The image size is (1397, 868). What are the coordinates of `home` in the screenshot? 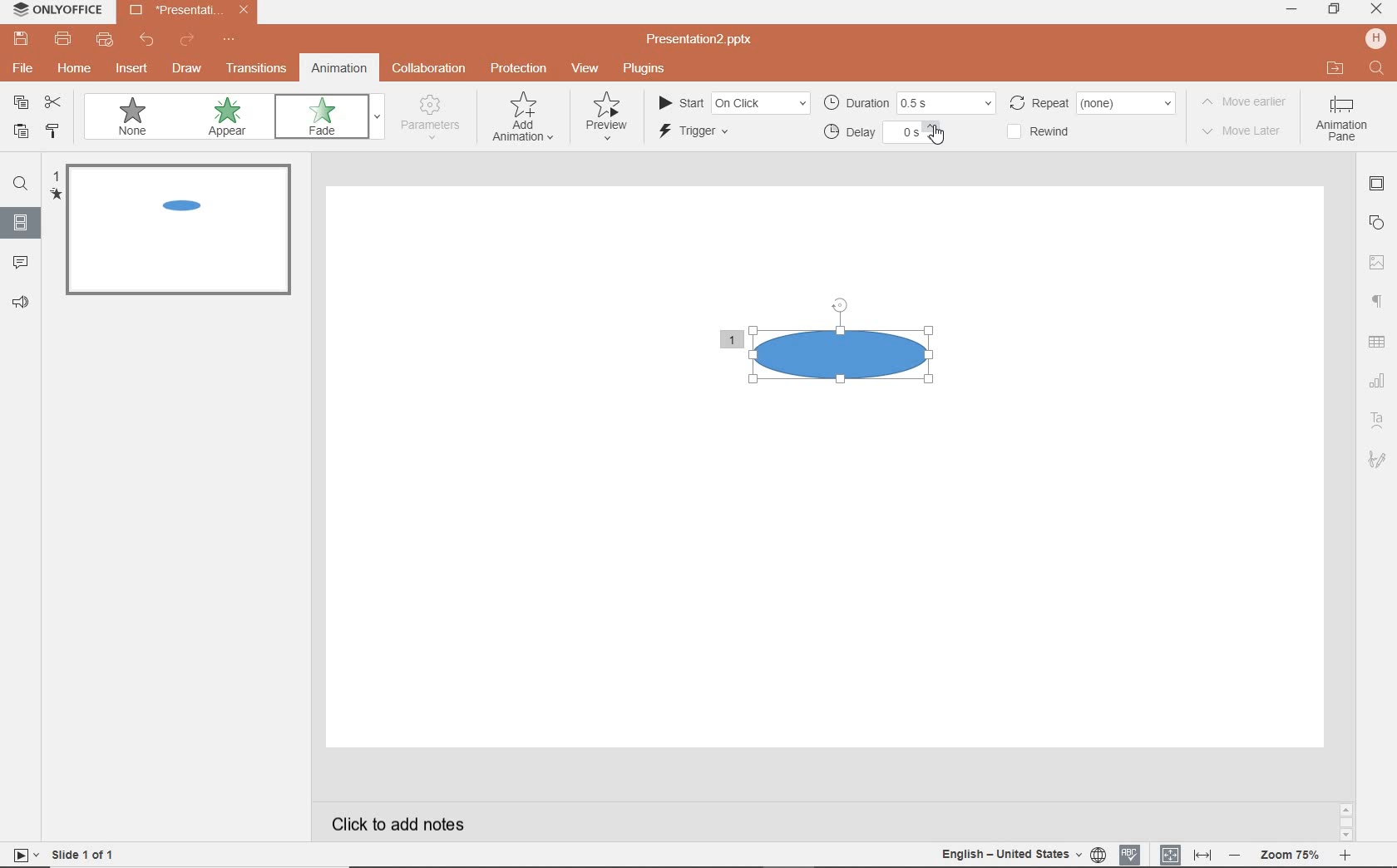 It's located at (77, 68).